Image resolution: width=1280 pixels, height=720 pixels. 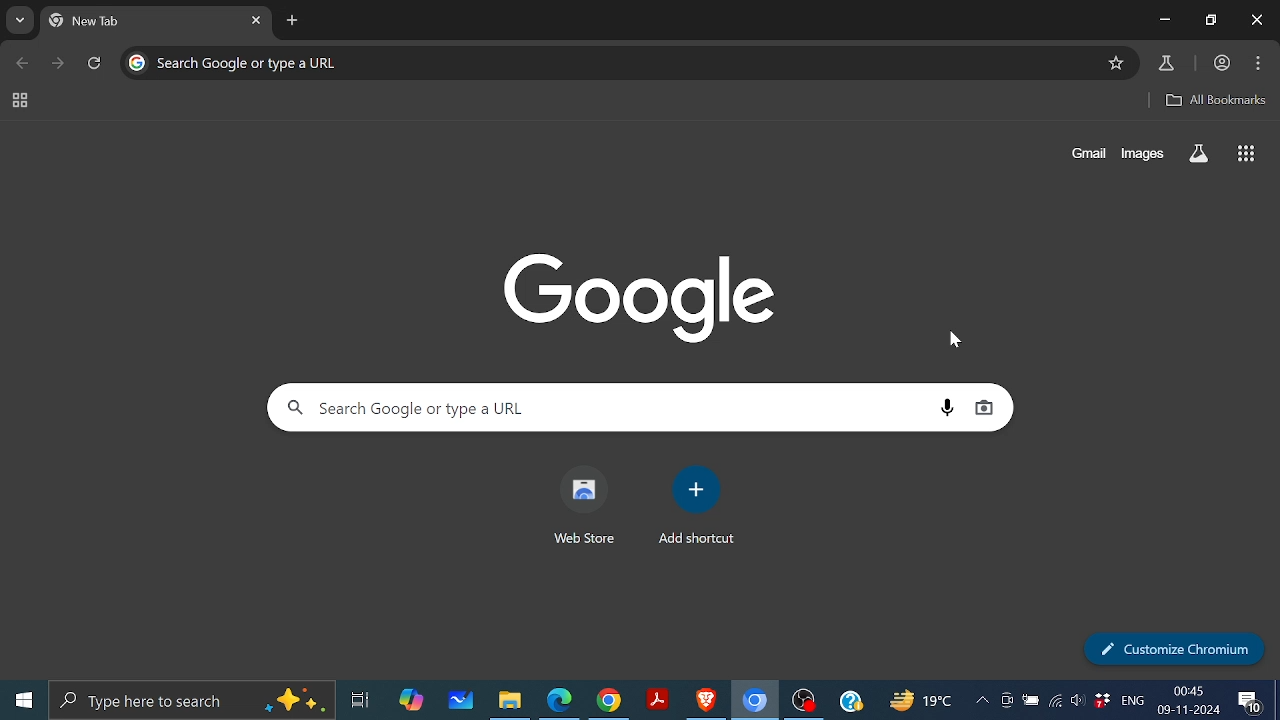 What do you see at coordinates (1211, 20) in the screenshot?
I see `duplicate/multiple tabs` at bounding box center [1211, 20].